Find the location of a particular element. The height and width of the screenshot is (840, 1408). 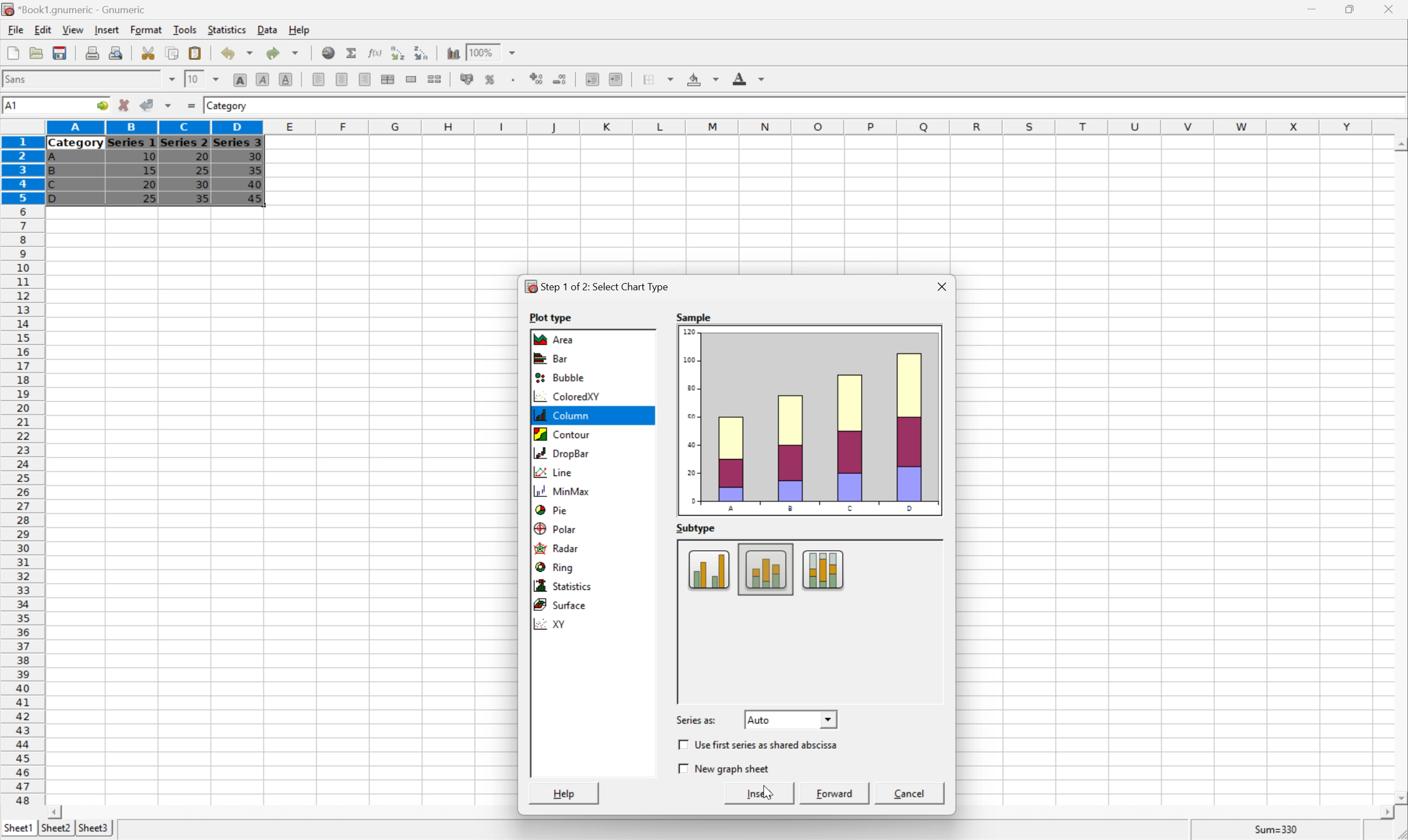

Close is located at coordinates (941, 286).